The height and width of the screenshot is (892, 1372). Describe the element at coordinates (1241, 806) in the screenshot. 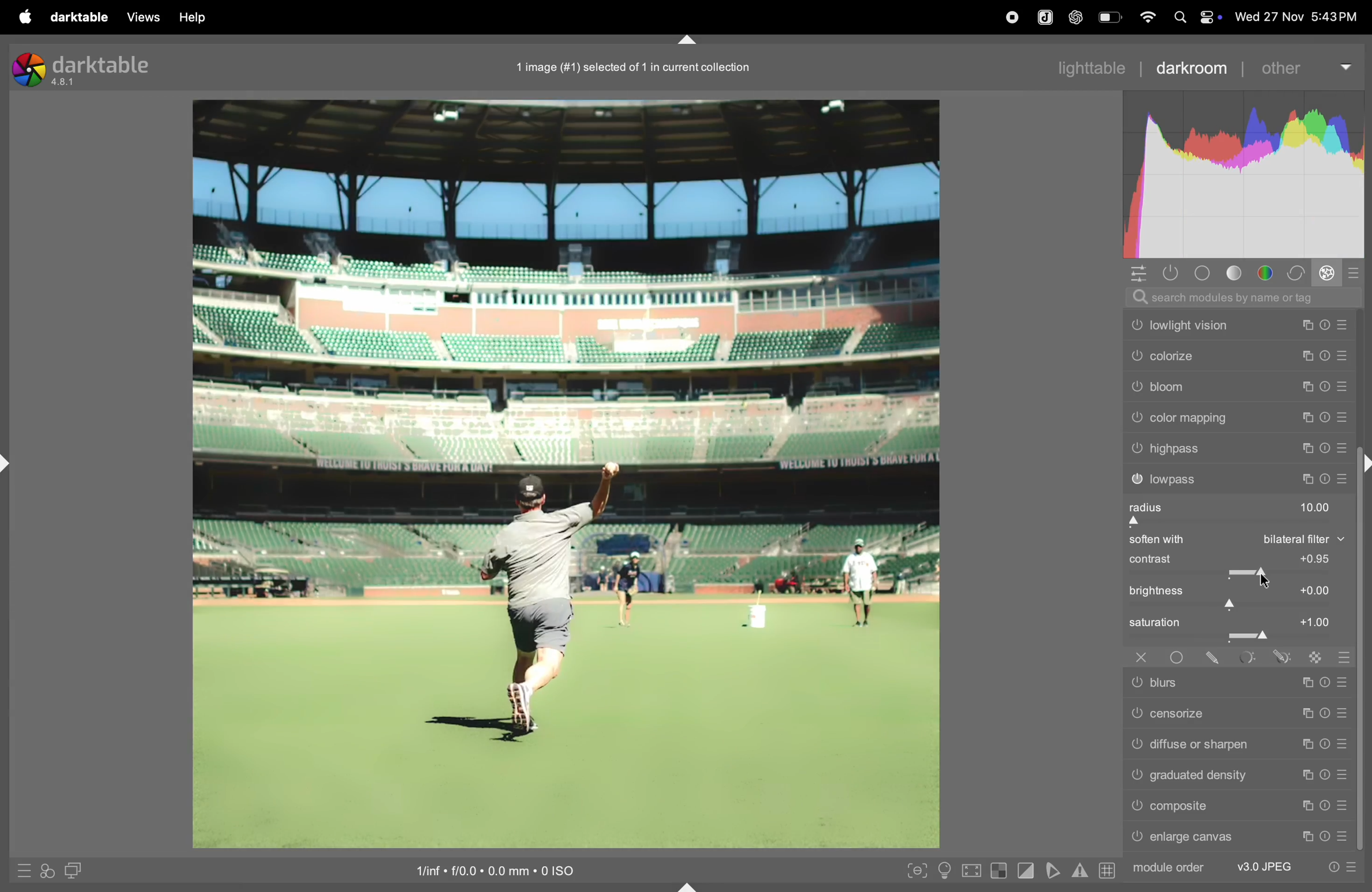

I see `composite` at that location.